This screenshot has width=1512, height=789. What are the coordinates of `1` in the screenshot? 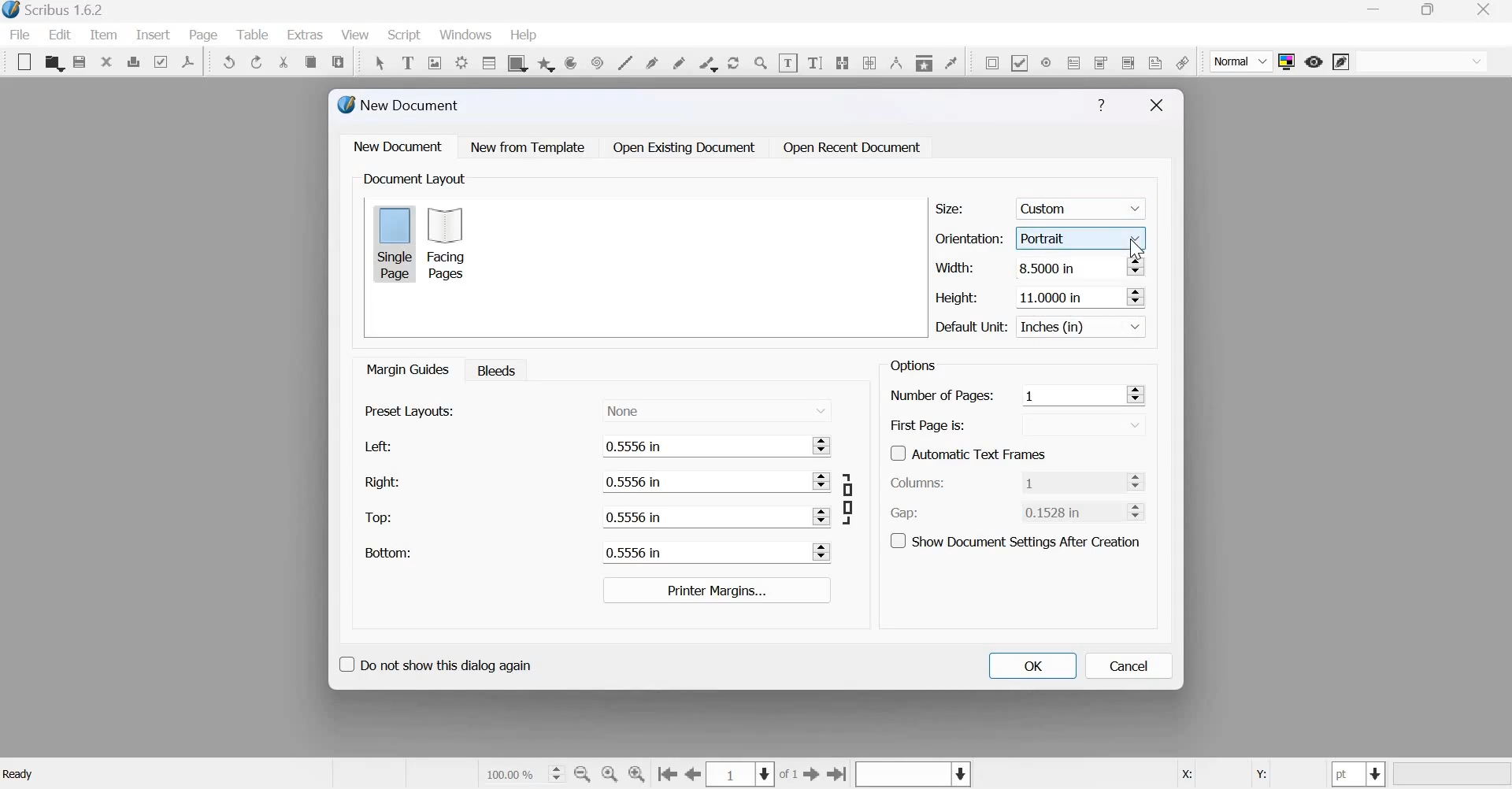 It's located at (1072, 481).